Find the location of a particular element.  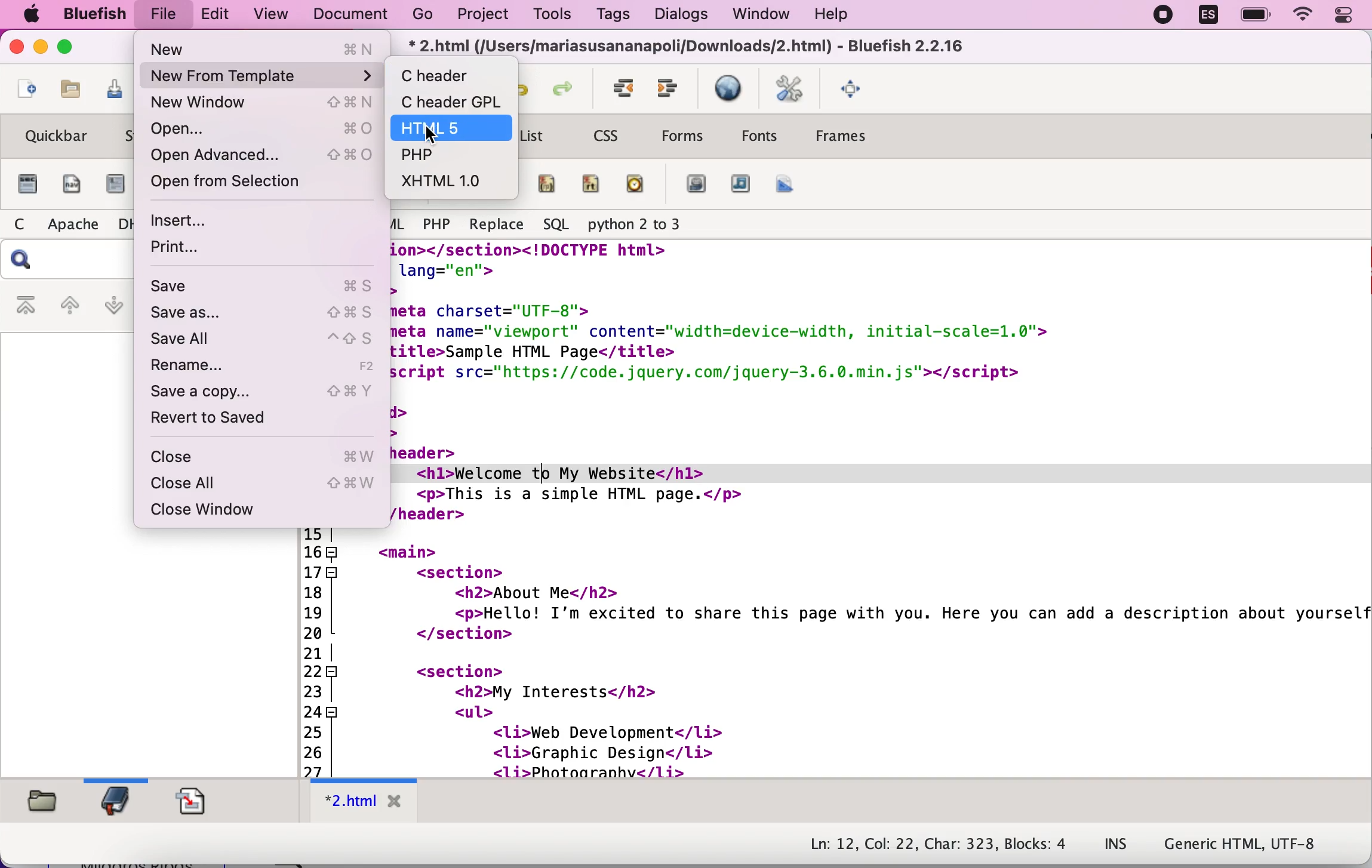

battery is located at coordinates (1254, 15).